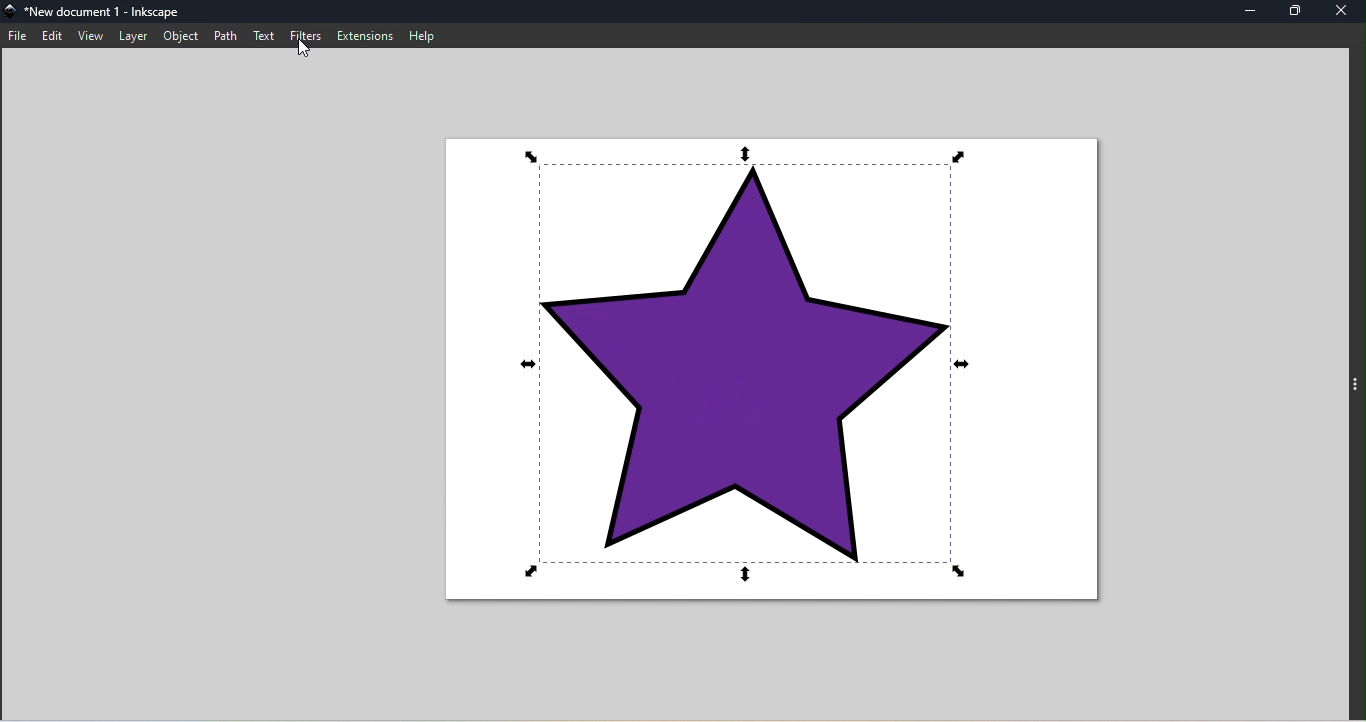 Image resolution: width=1366 pixels, height=722 pixels. What do you see at coordinates (102, 11) in the screenshot?
I see `File name` at bounding box center [102, 11].